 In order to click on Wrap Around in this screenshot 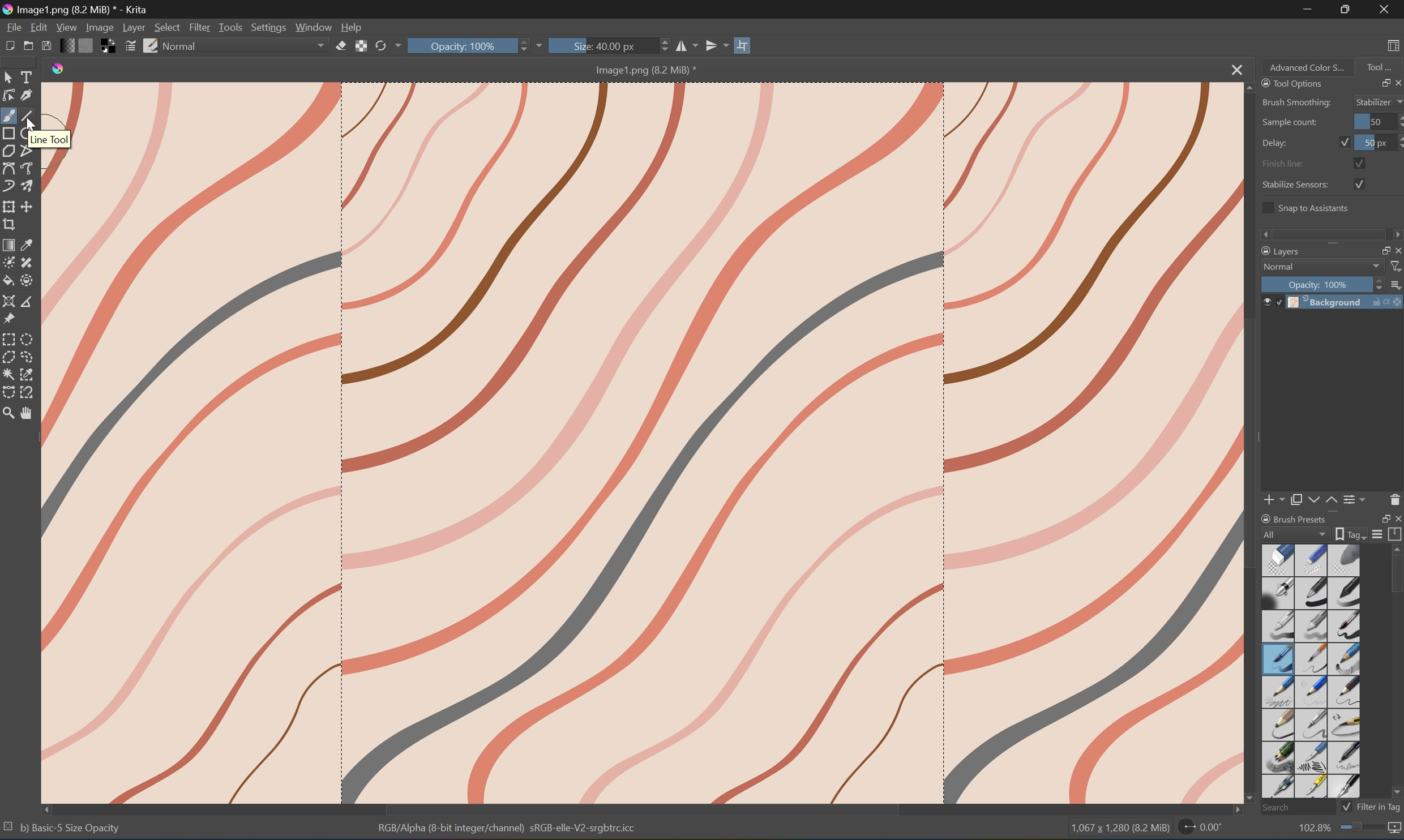, I will do `click(745, 44)`.